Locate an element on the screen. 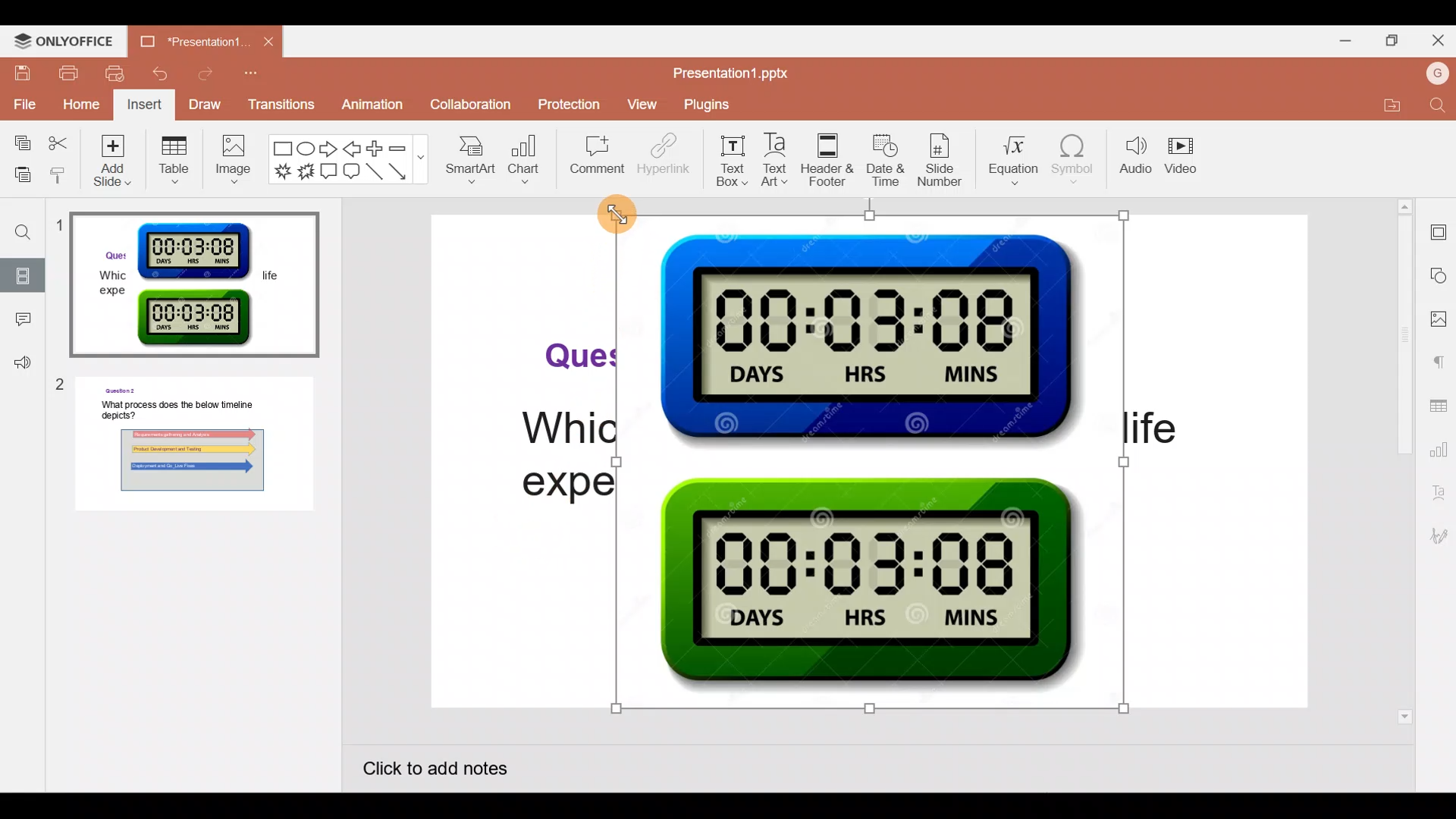 The width and height of the screenshot is (1456, 819). Find is located at coordinates (18, 227).